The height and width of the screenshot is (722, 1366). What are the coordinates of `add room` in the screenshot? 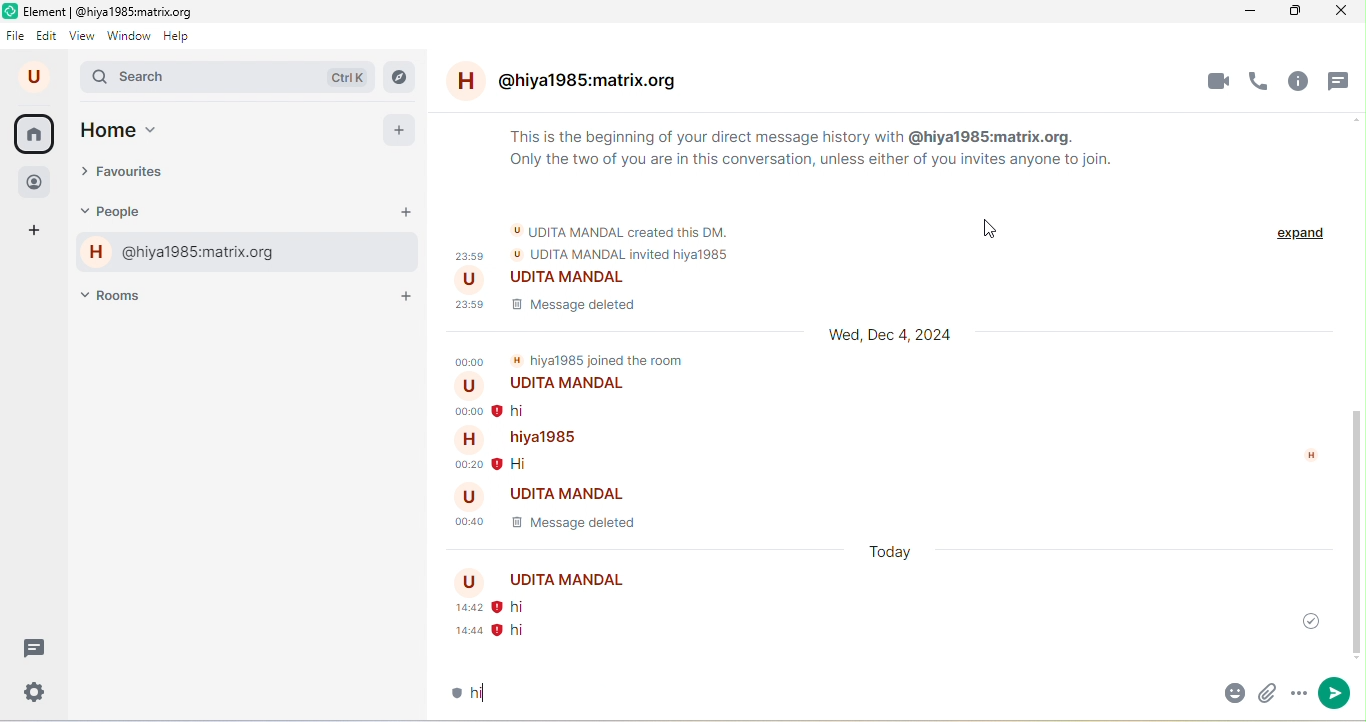 It's located at (408, 296).